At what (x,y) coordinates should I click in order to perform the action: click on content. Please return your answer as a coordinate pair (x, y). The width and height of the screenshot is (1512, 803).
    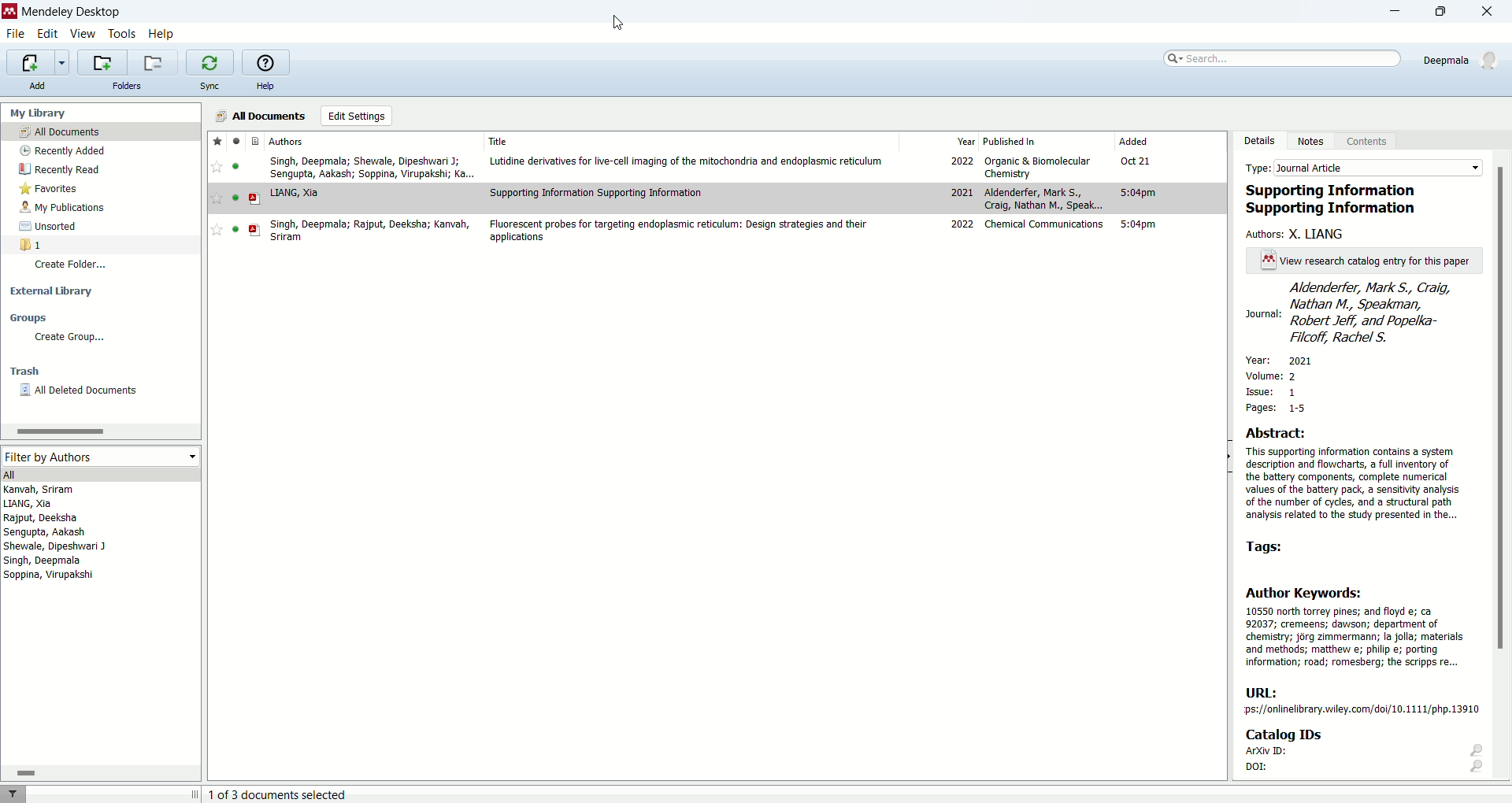
    Looking at the image, I should click on (1372, 143).